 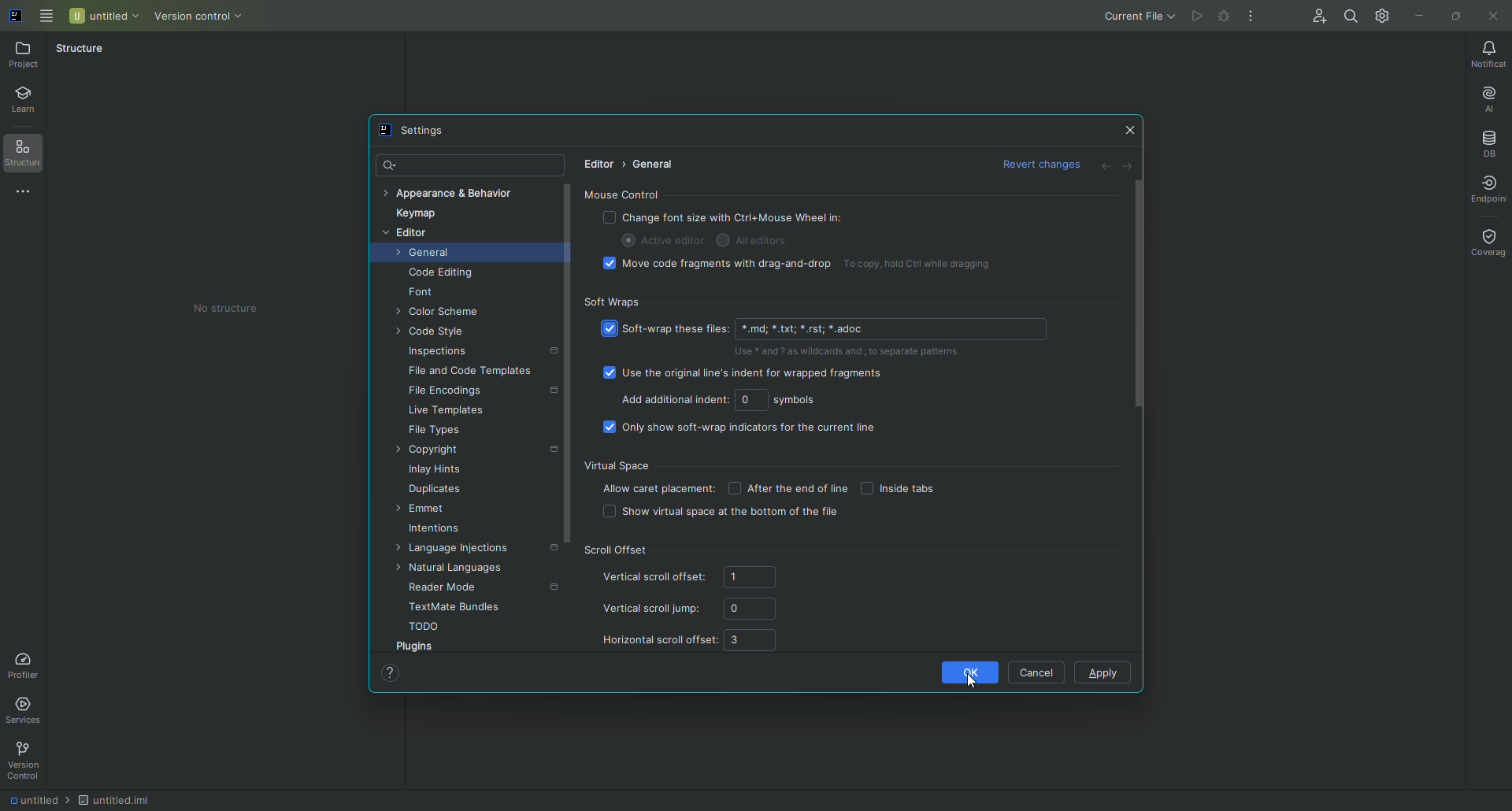 What do you see at coordinates (596, 165) in the screenshot?
I see `Editor` at bounding box center [596, 165].